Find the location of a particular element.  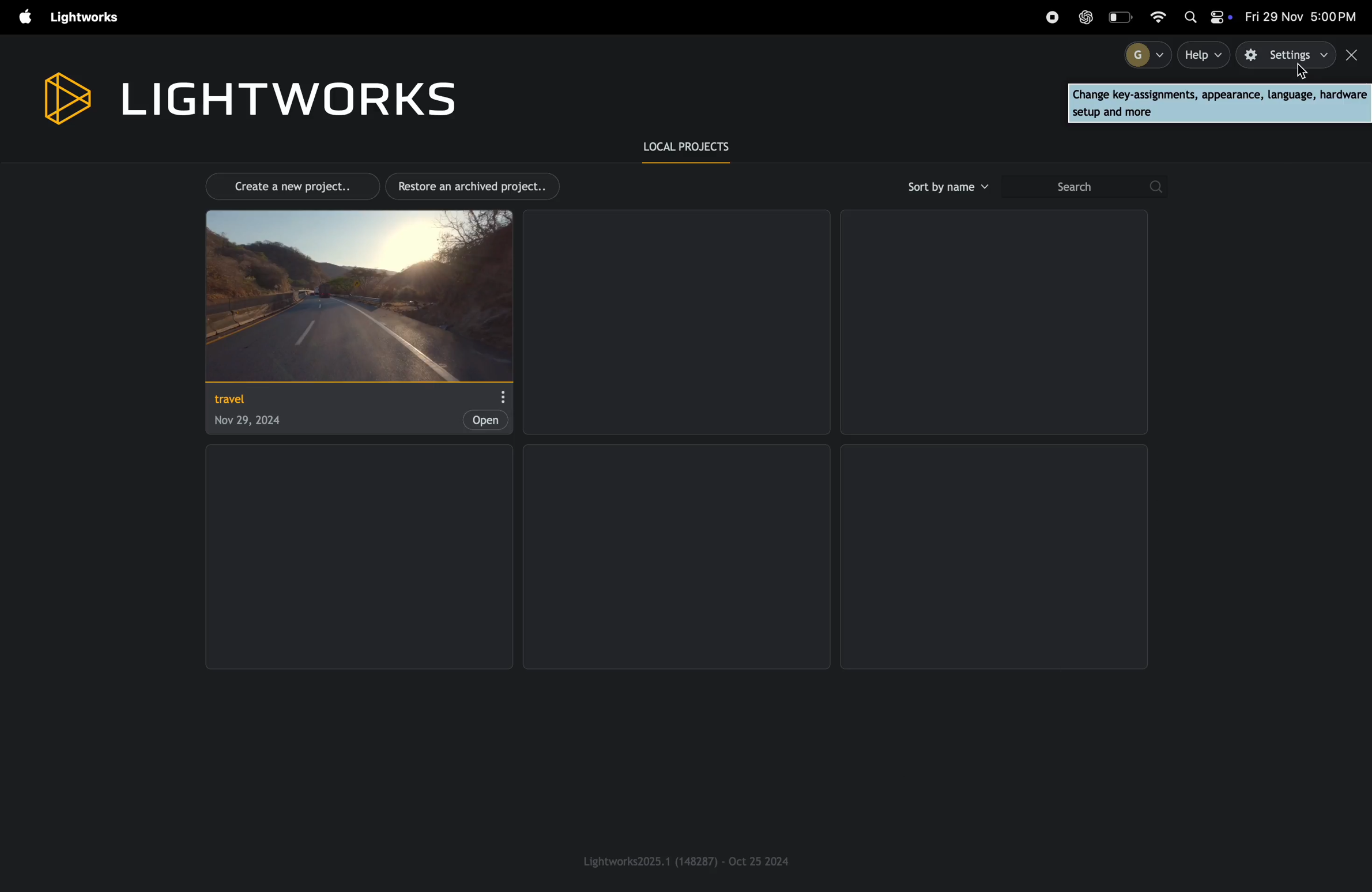

help is located at coordinates (1205, 55).